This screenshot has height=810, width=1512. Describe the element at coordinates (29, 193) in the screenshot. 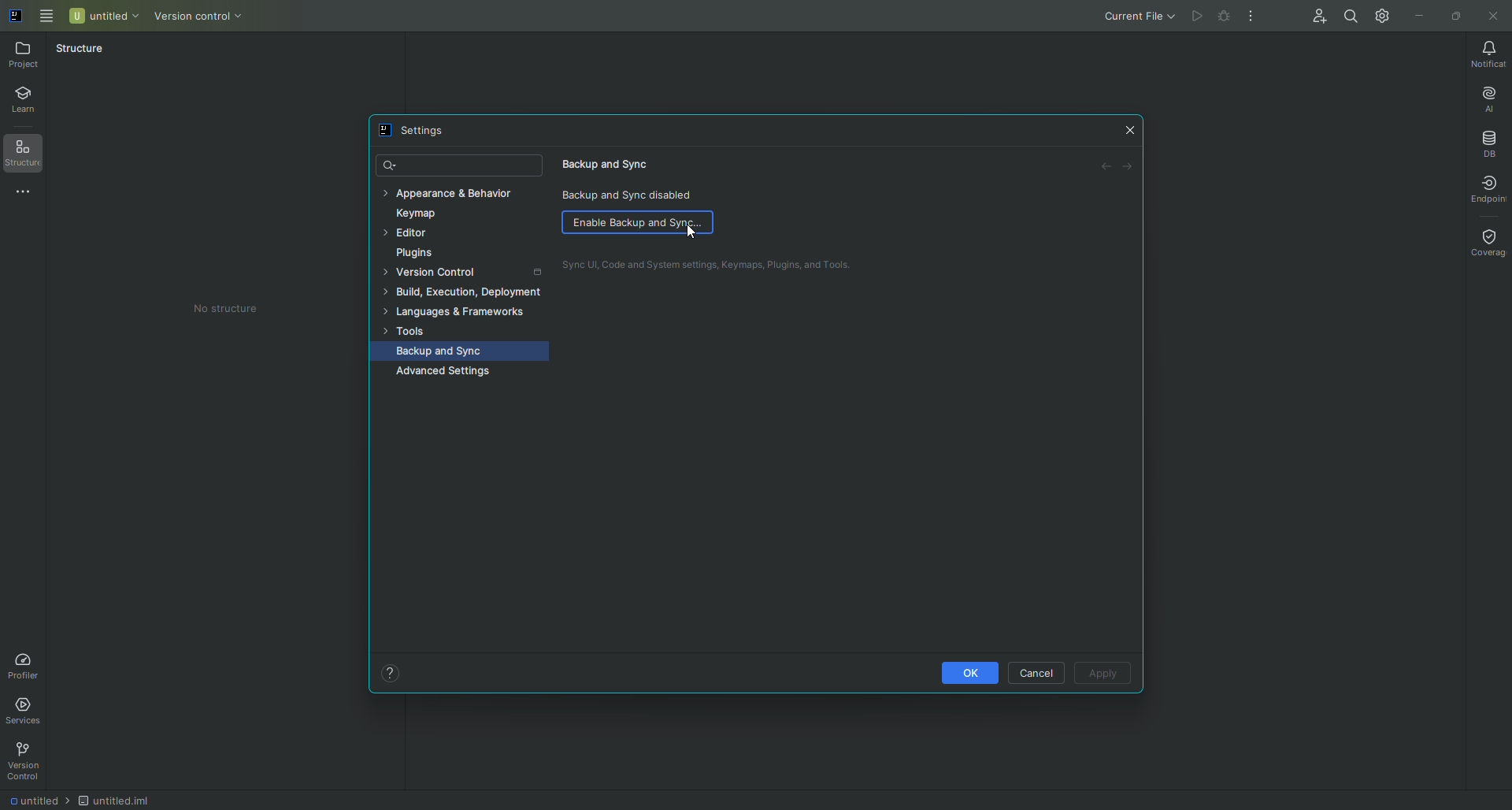

I see `More tools` at that location.